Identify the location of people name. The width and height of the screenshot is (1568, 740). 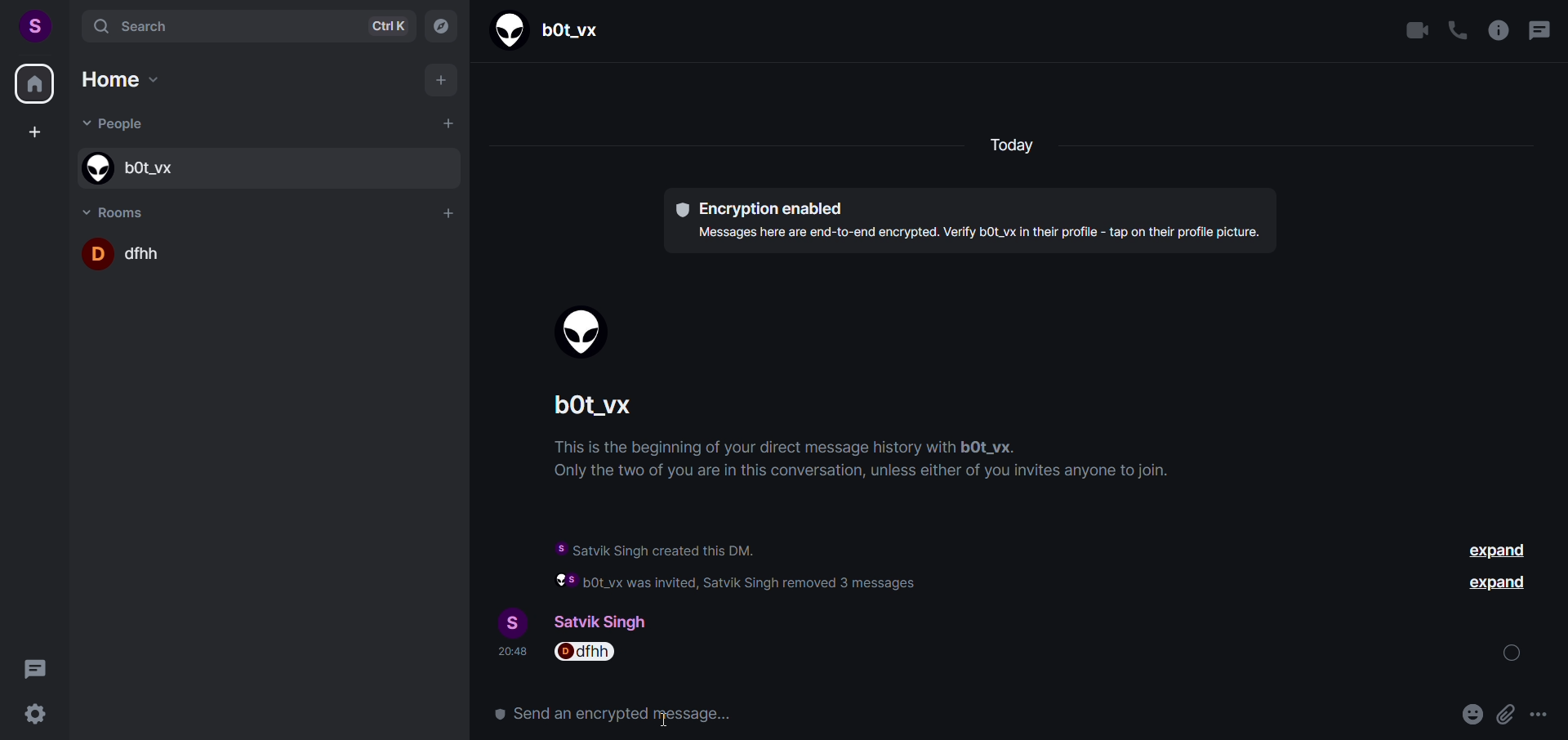
(264, 167).